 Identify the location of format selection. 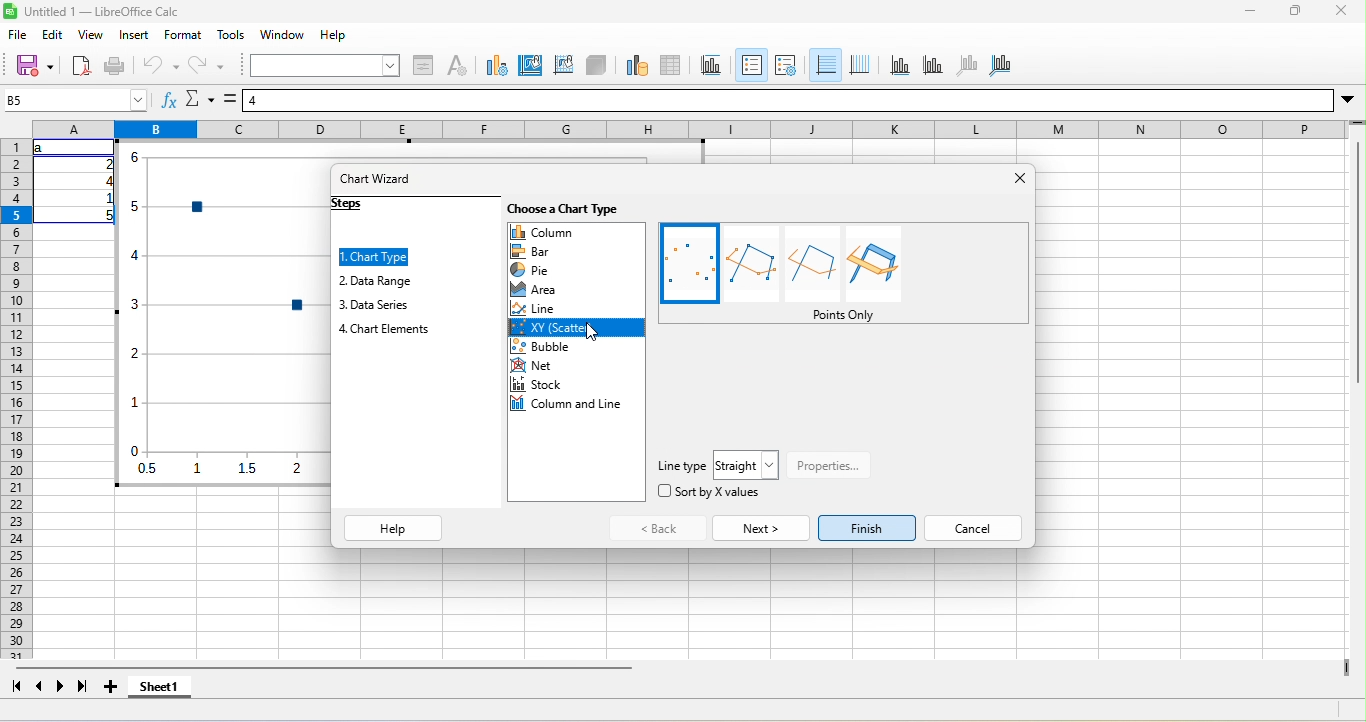
(423, 67).